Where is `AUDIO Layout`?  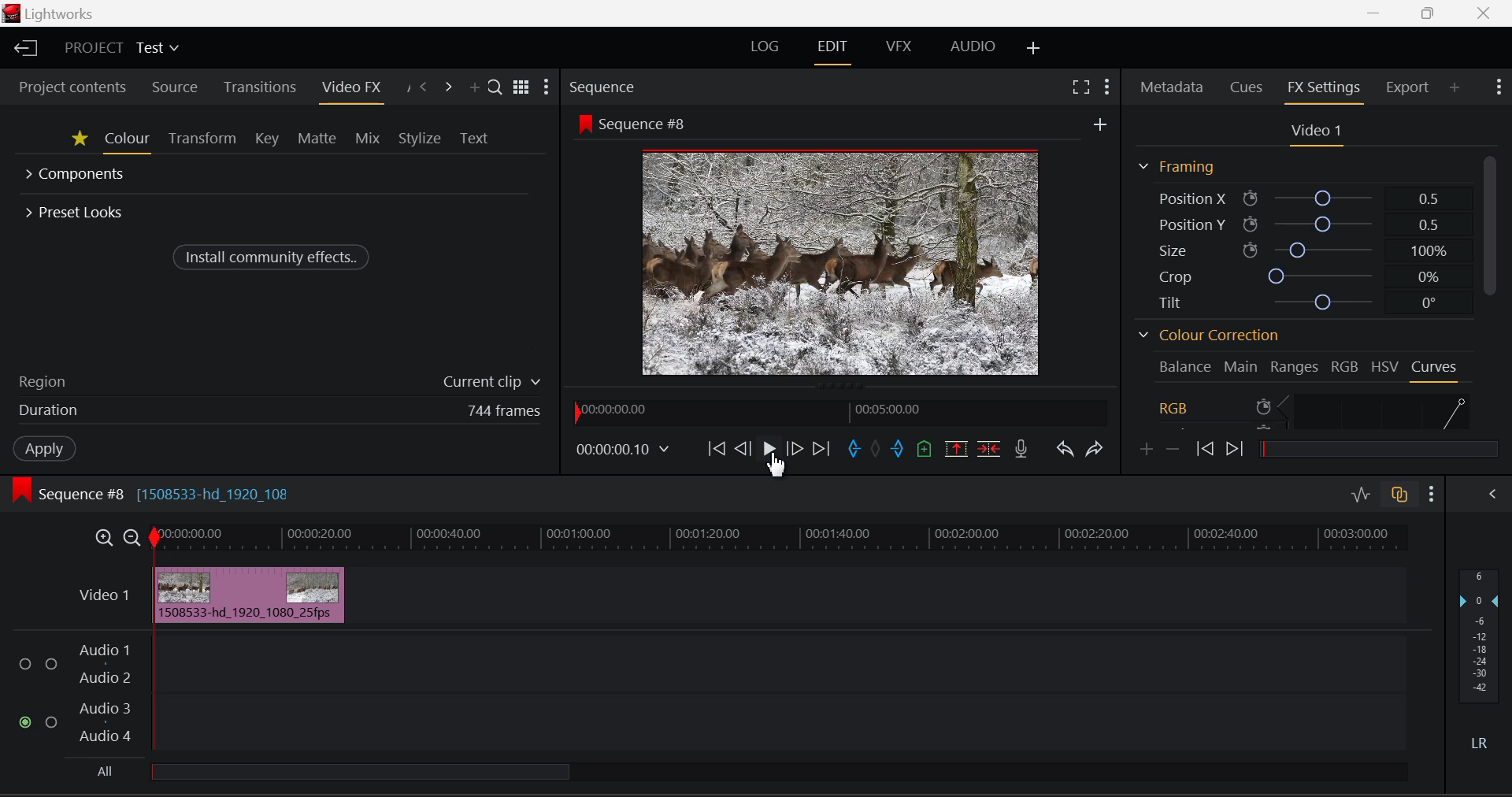
AUDIO Layout is located at coordinates (975, 46).